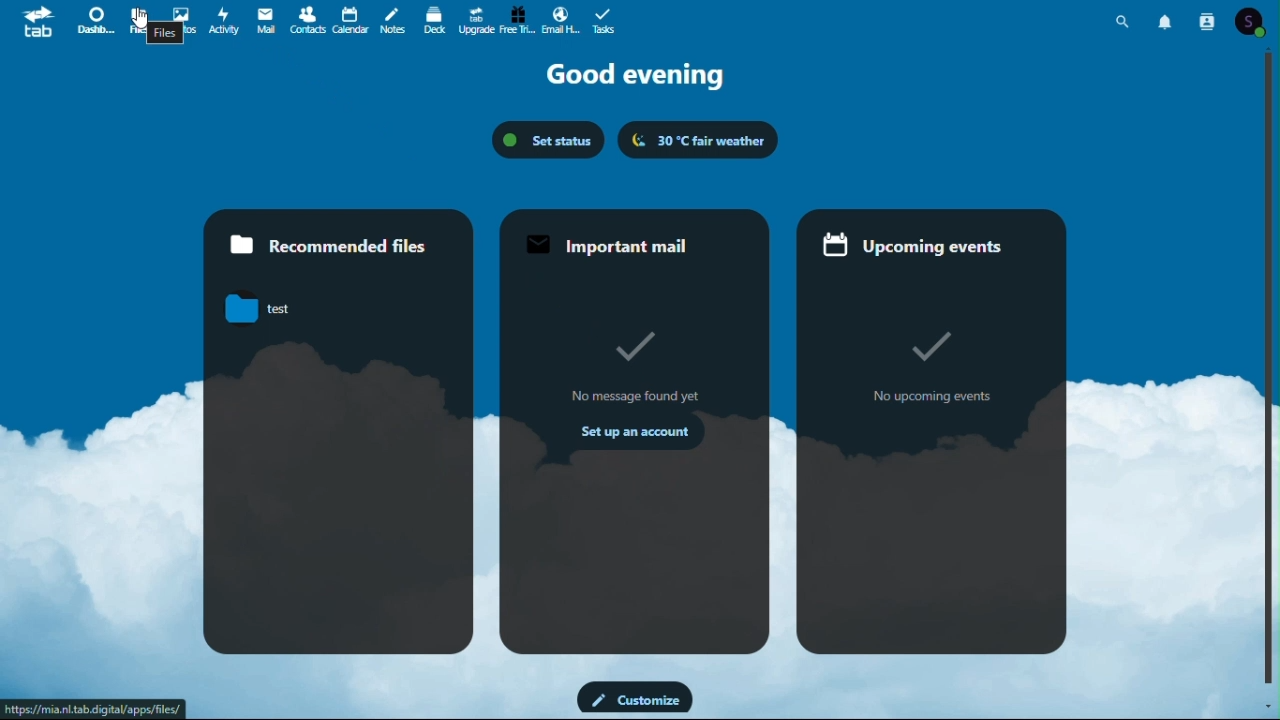 The width and height of the screenshot is (1280, 720). Describe the element at coordinates (183, 20) in the screenshot. I see `Photos` at that location.